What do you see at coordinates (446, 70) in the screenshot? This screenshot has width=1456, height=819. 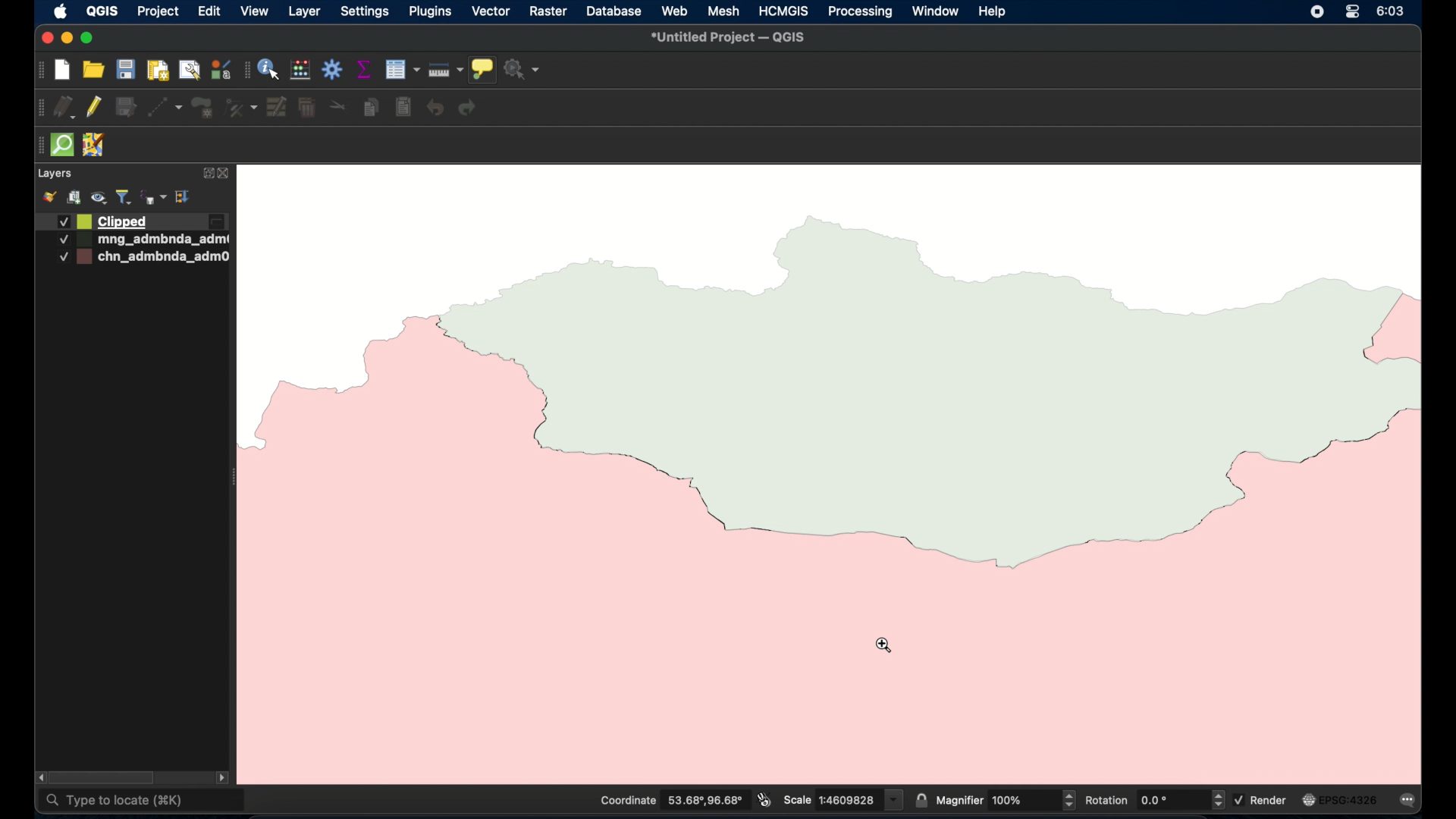 I see `measure line` at bounding box center [446, 70].